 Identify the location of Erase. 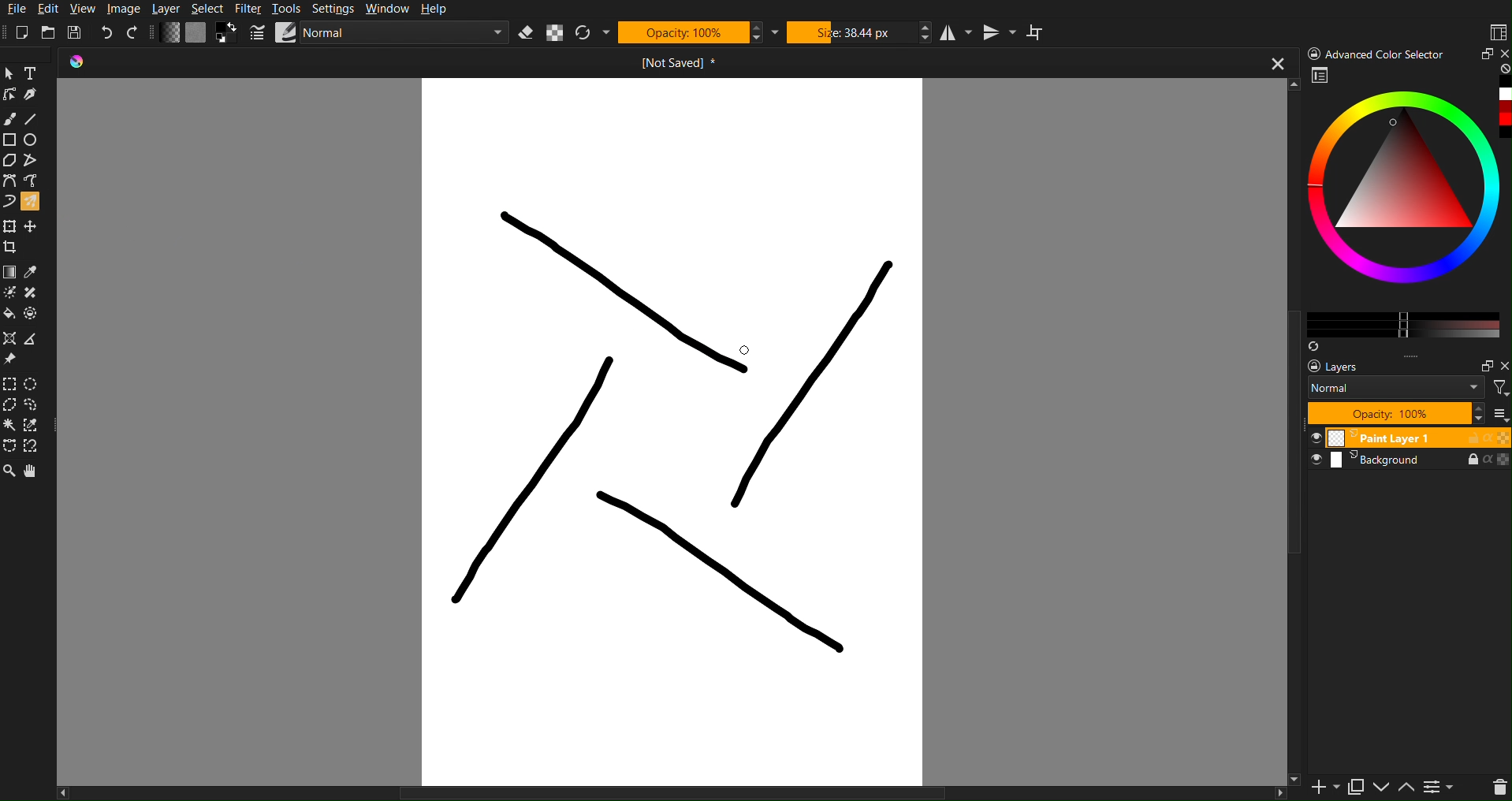
(527, 33).